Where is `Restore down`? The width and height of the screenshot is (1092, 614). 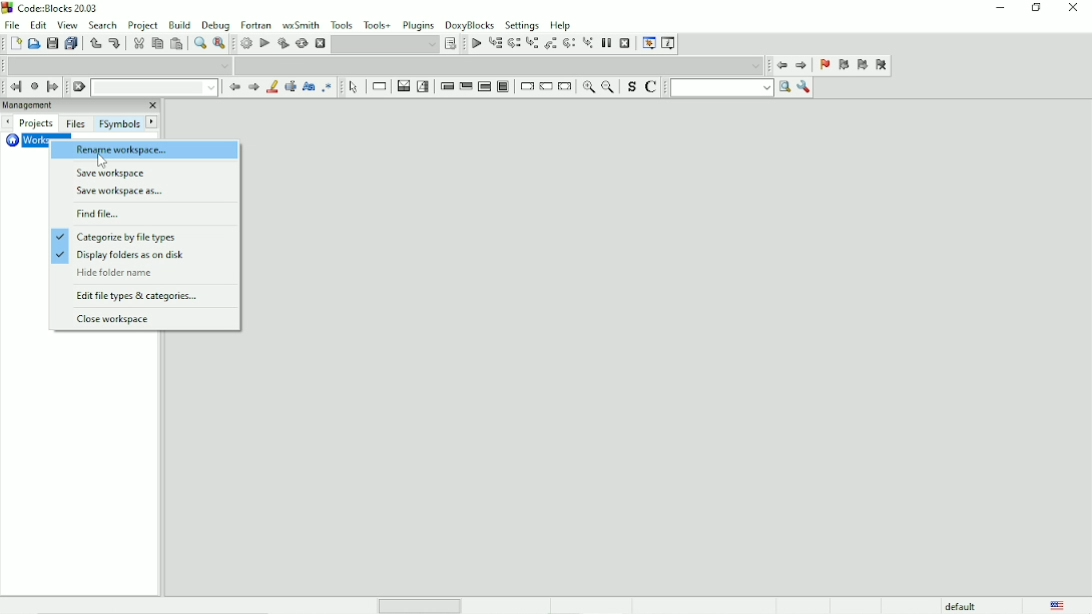 Restore down is located at coordinates (1035, 8).